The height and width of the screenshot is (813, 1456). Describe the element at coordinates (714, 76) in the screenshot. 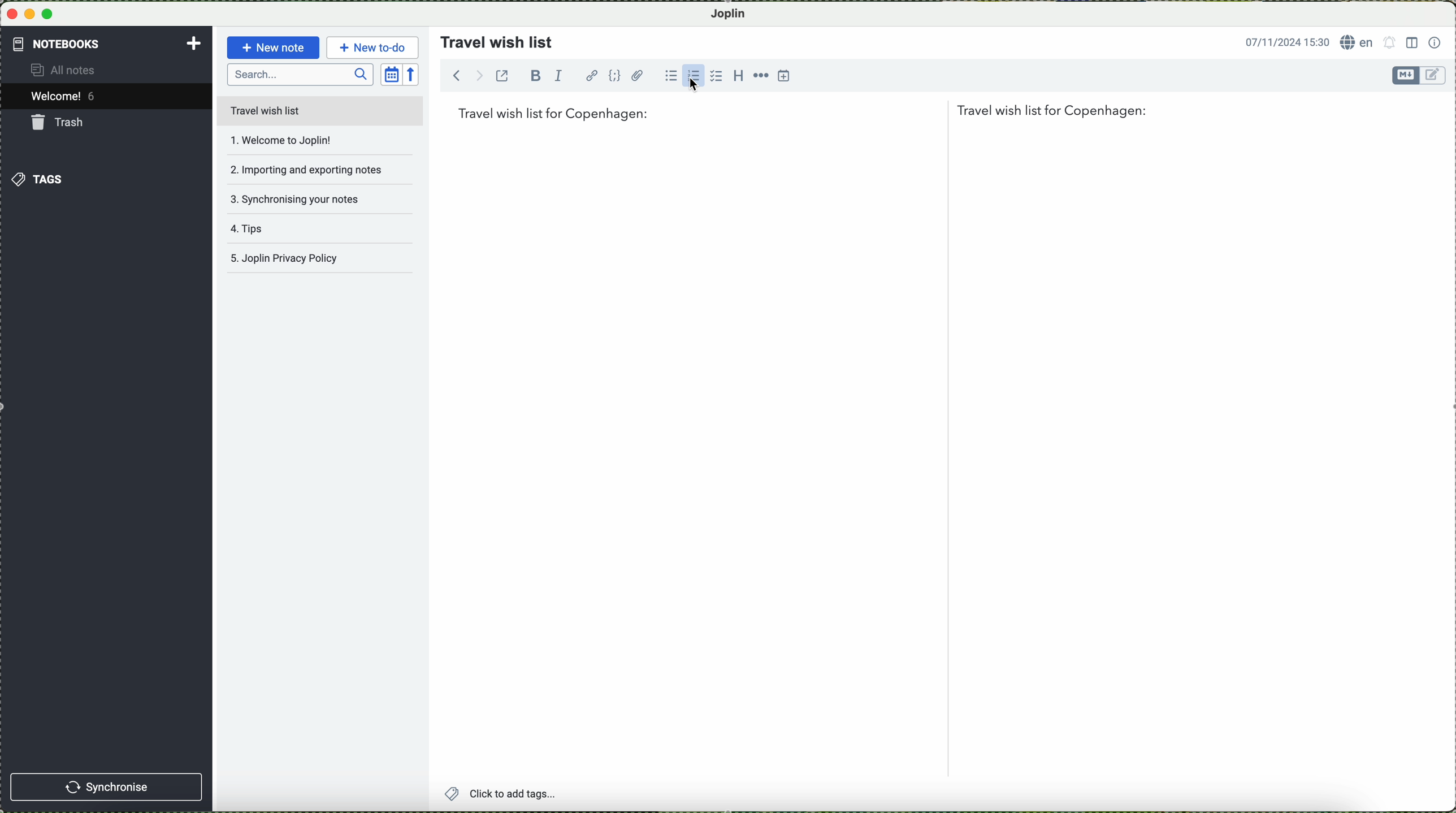

I see `checkbox` at that location.